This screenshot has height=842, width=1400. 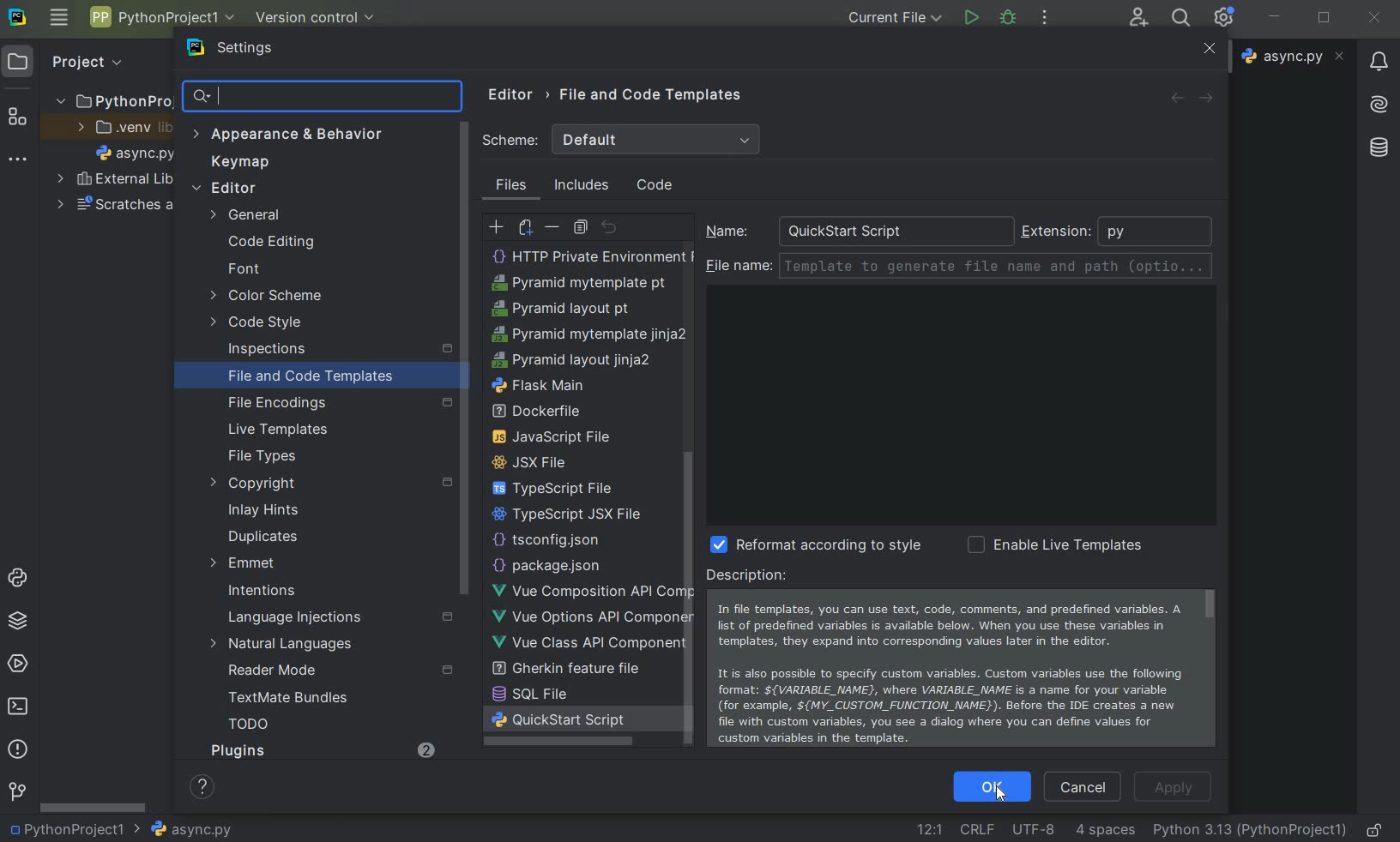 I want to click on notifications, so click(x=1377, y=62).